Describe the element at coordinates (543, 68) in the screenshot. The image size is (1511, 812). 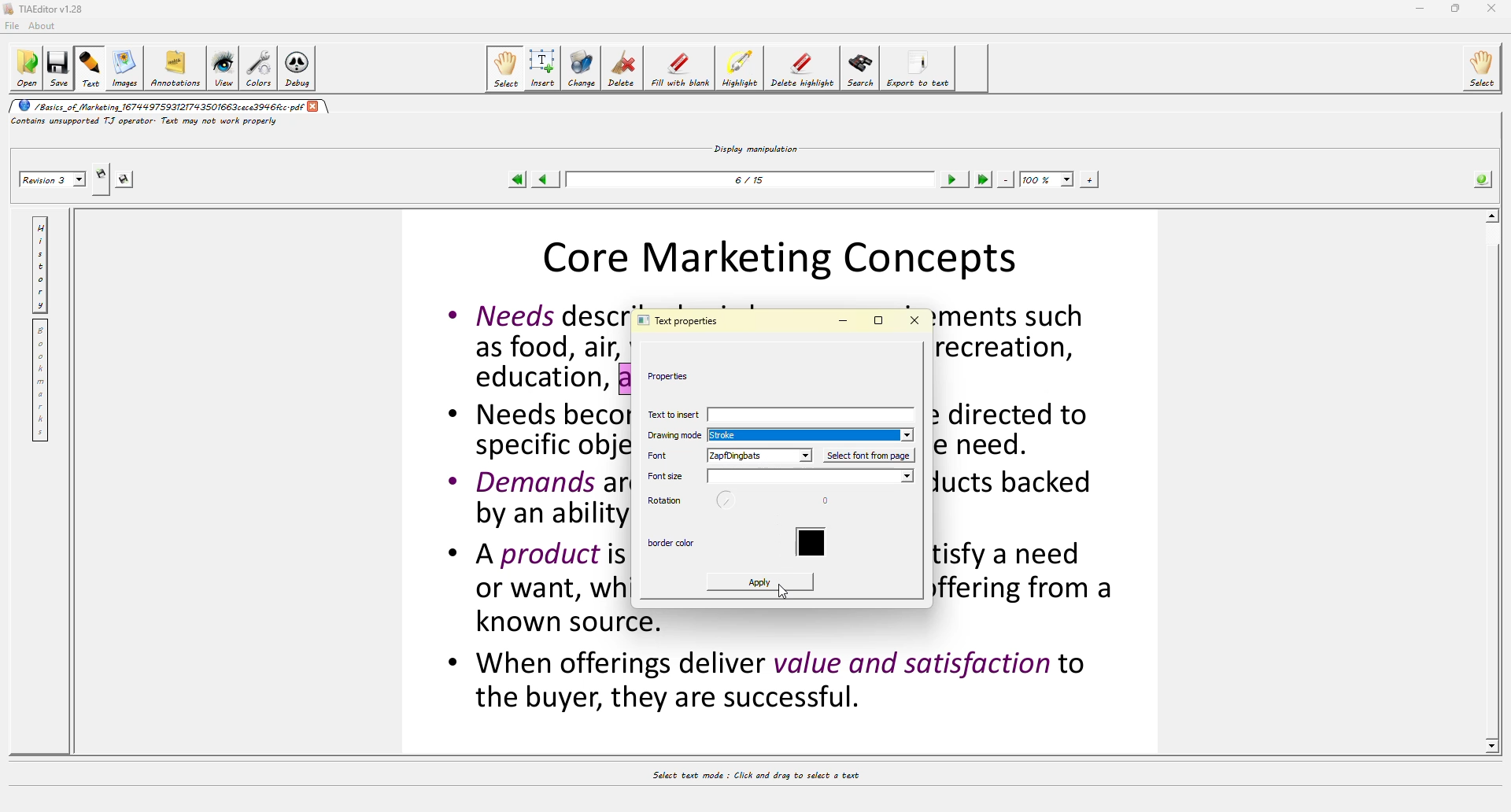
I see `insert` at that location.